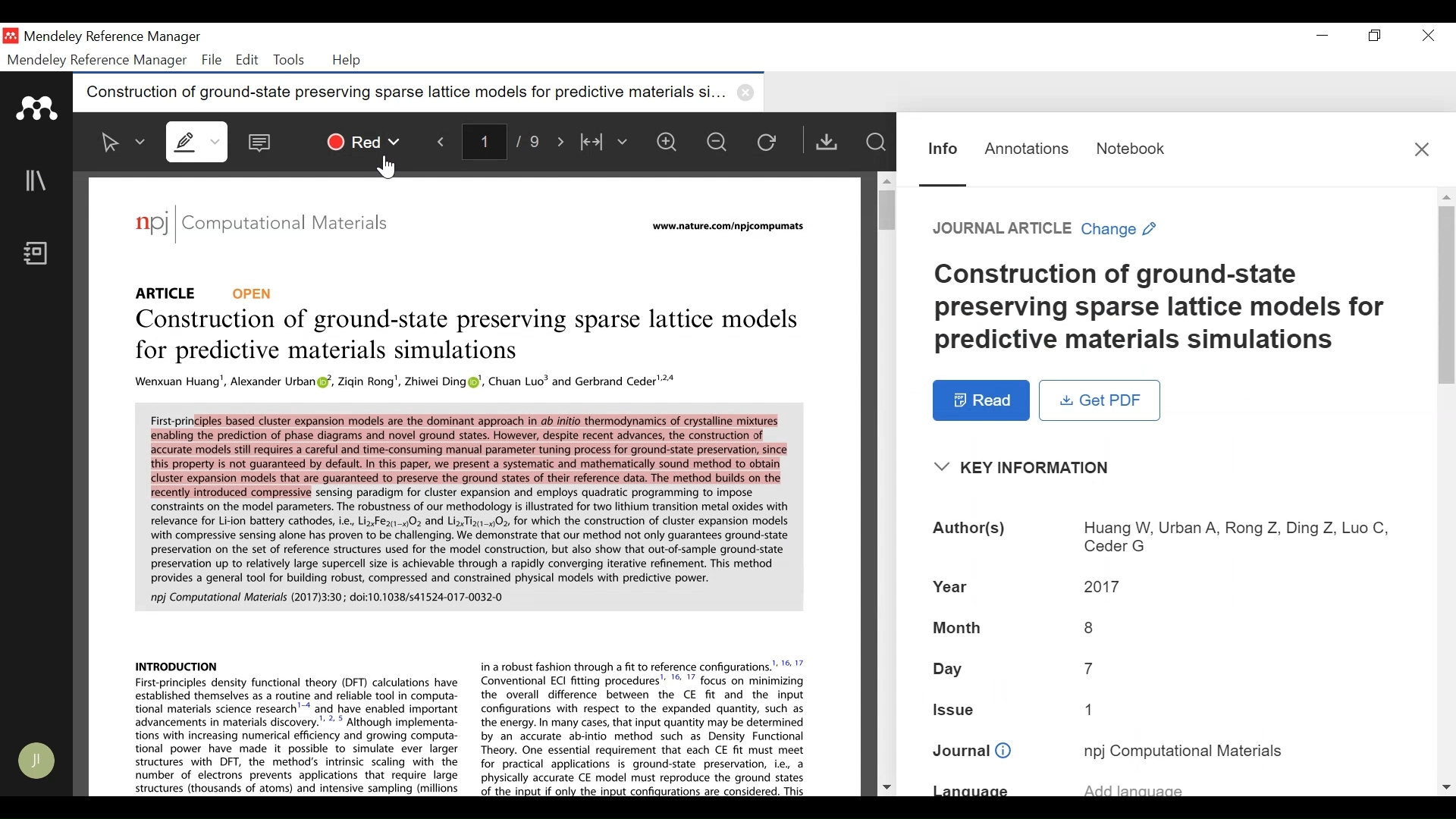 The image size is (1456, 819). What do you see at coordinates (389, 165) in the screenshot?
I see `Cursor` at bounding box center [389, 165].